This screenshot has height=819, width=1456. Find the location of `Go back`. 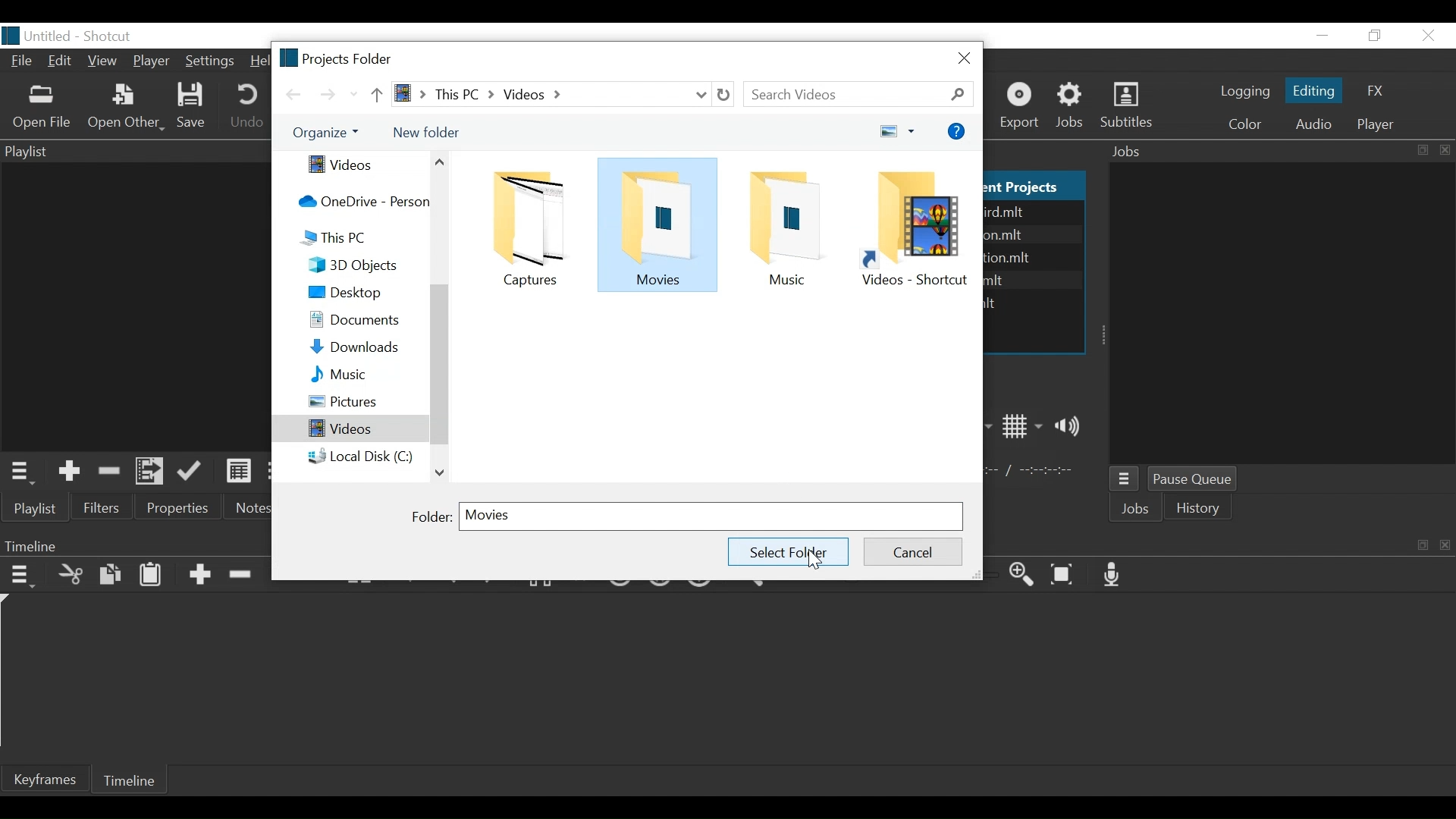

Go back is located at coordinates (293, 93).